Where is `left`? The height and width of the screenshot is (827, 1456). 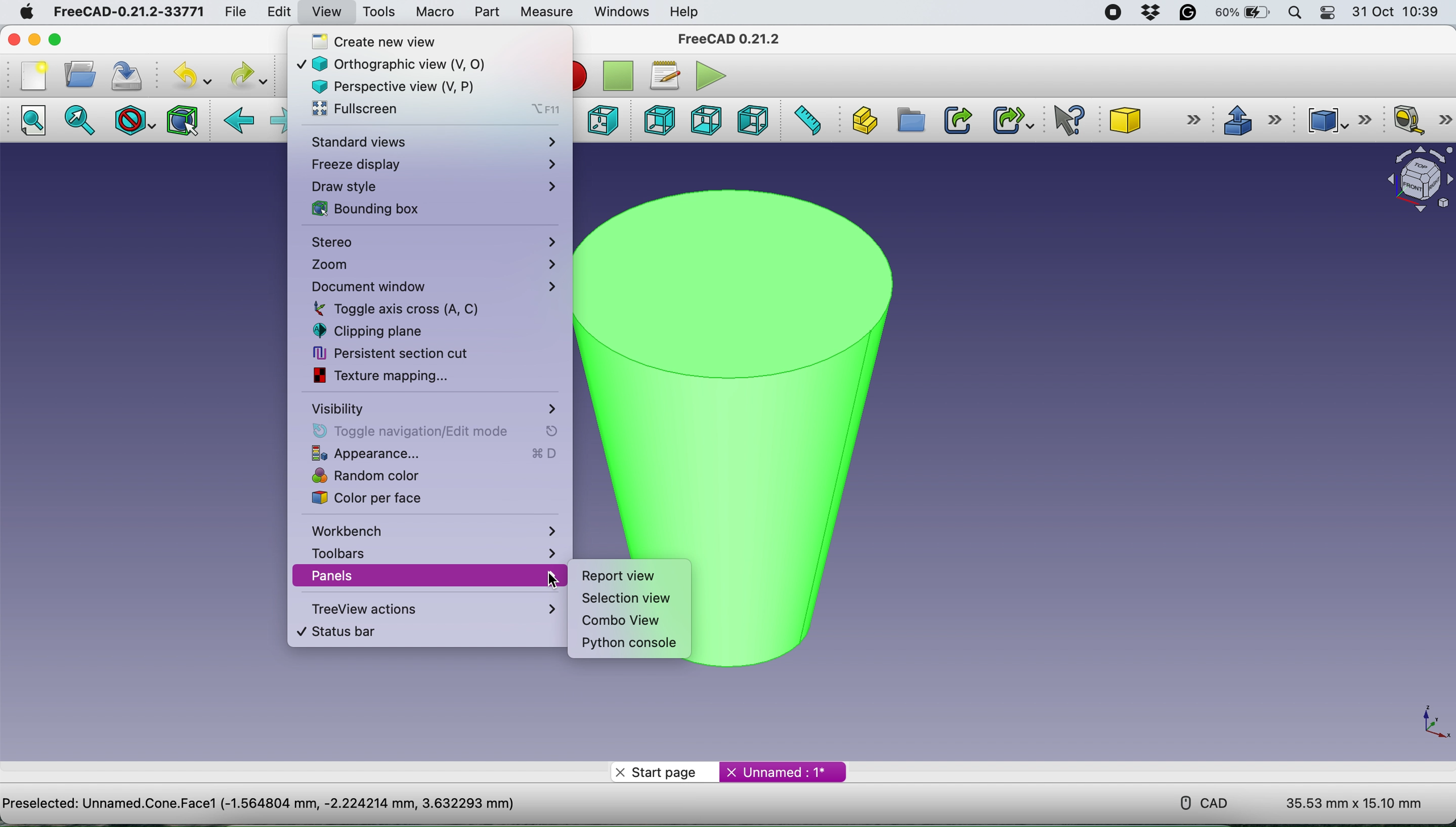
left is located at coordinates (755, 120).